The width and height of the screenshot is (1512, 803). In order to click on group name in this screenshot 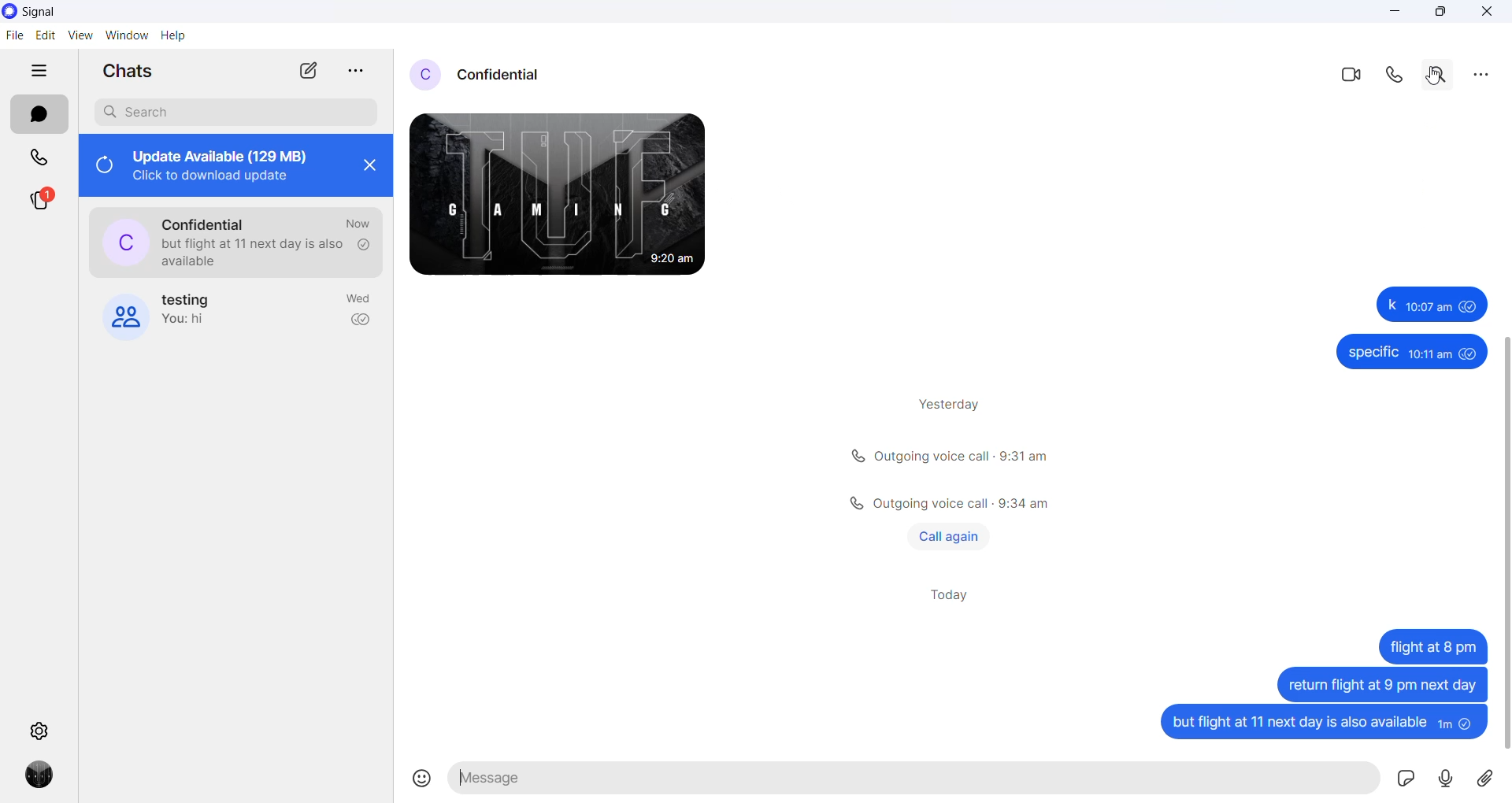, I will do `click(193, 299)`.